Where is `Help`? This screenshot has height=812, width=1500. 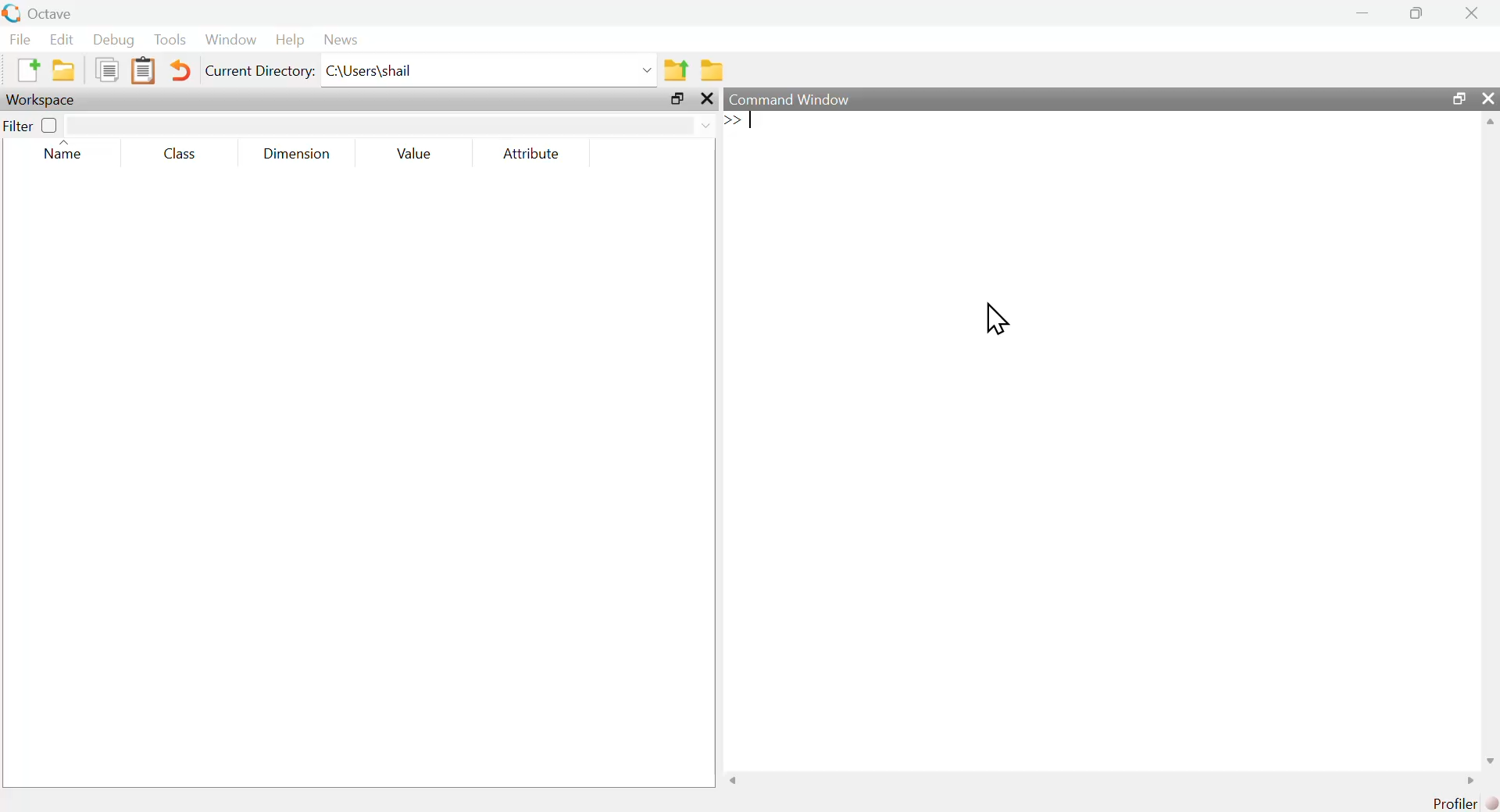
Help is located at coordinates (290, 40).